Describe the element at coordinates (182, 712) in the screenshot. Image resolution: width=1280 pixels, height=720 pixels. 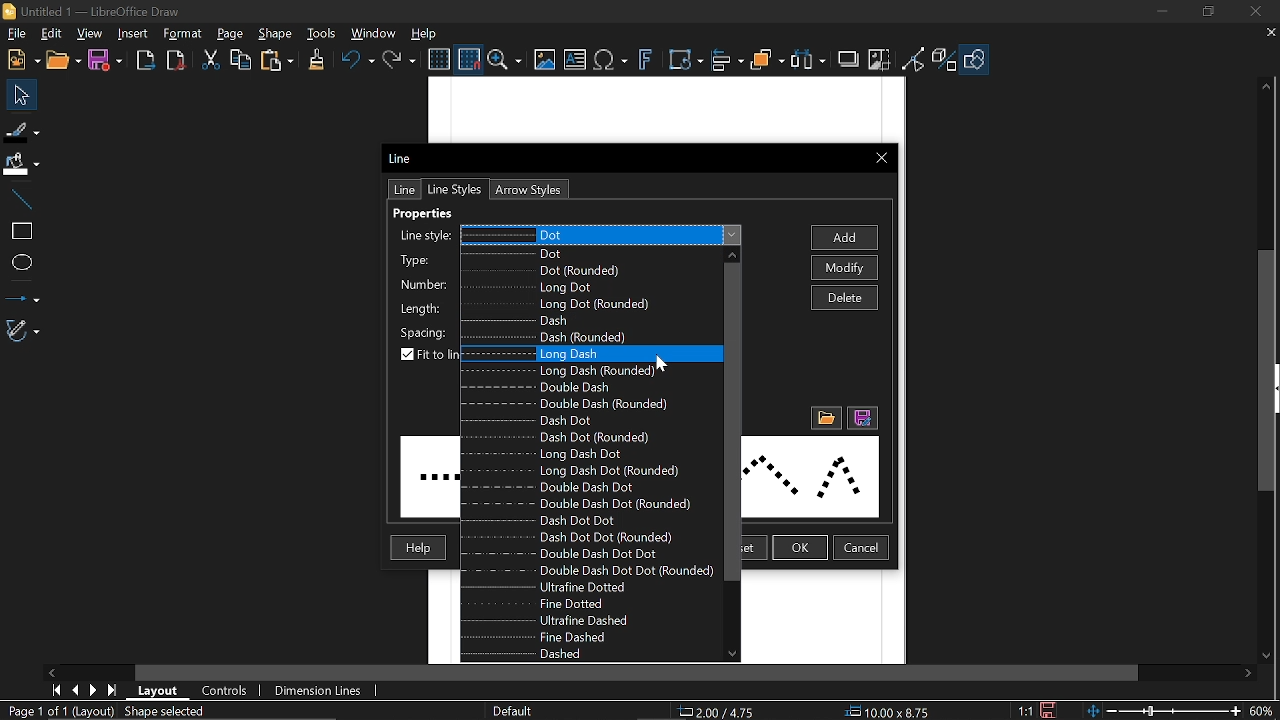
I see `Shape selected` at that location.